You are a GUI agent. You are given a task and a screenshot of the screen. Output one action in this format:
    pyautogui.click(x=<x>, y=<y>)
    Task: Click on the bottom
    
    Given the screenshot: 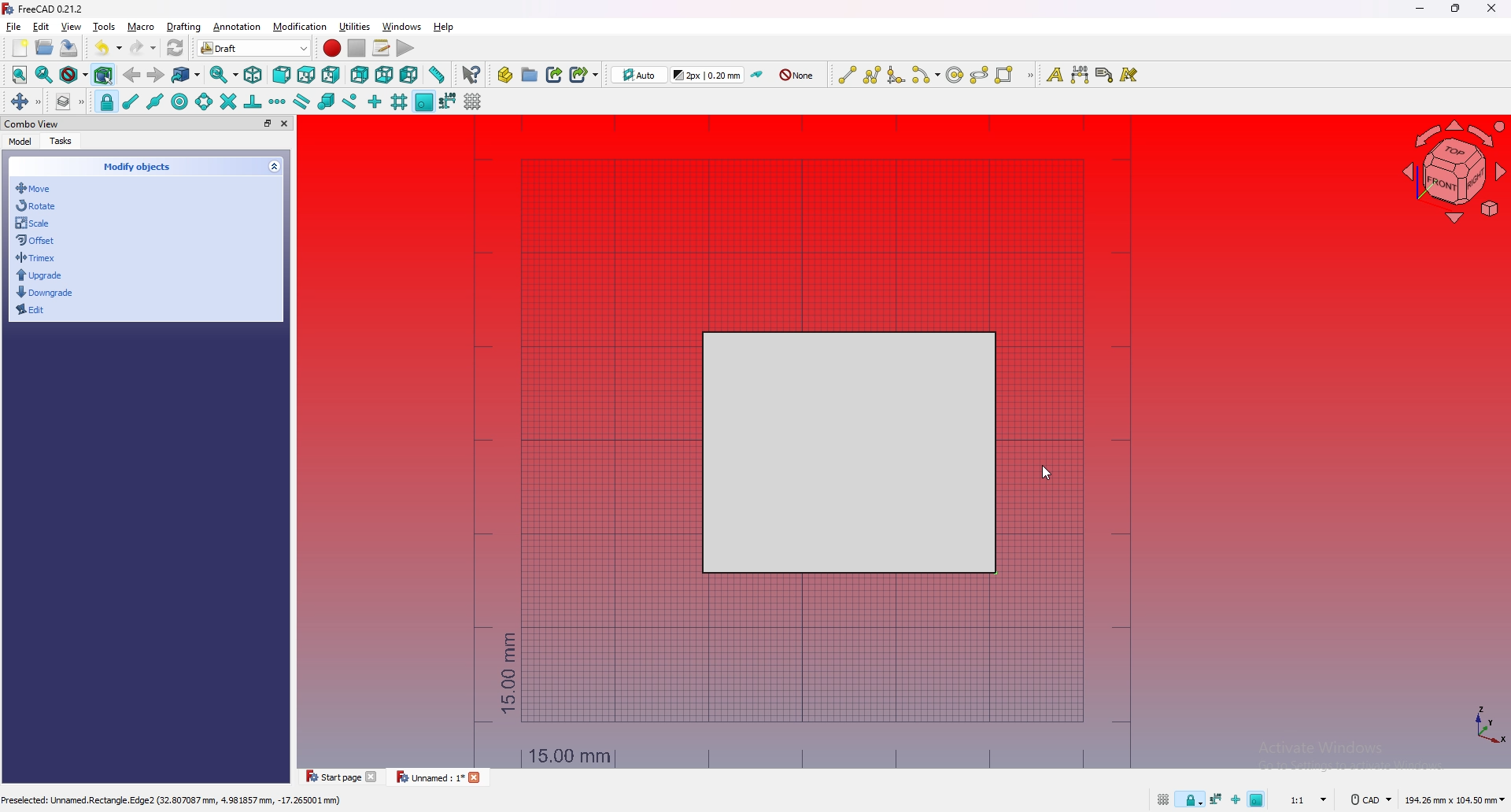 What is the action you would take?
    pyautogui.click(x=383, y=76)
    